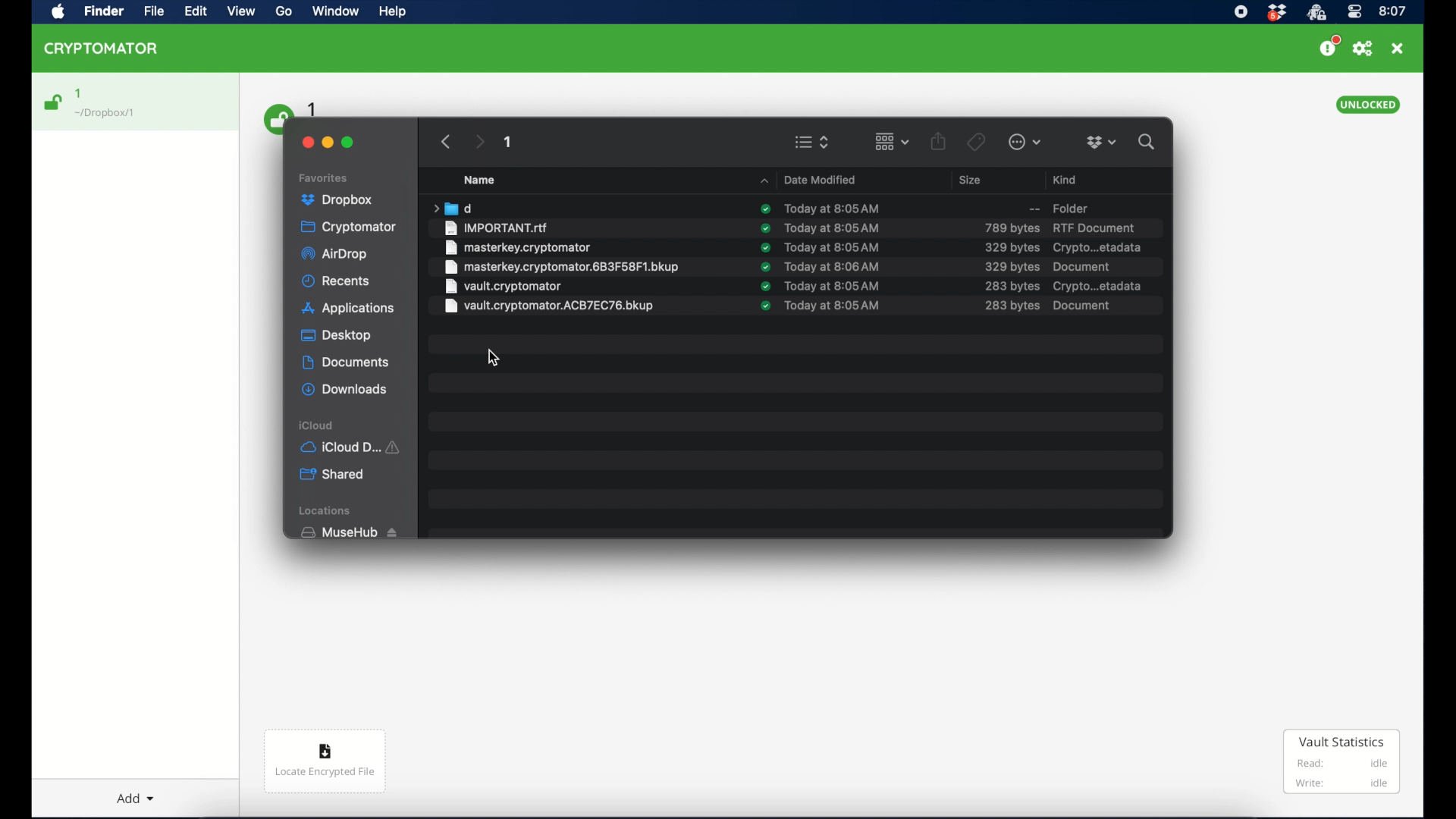 The height and width of the screenshot is (819, 1456). What do you see at coordinates (550, 306) in the screenshot?
I see `file name` at bounding box center [550, 306].